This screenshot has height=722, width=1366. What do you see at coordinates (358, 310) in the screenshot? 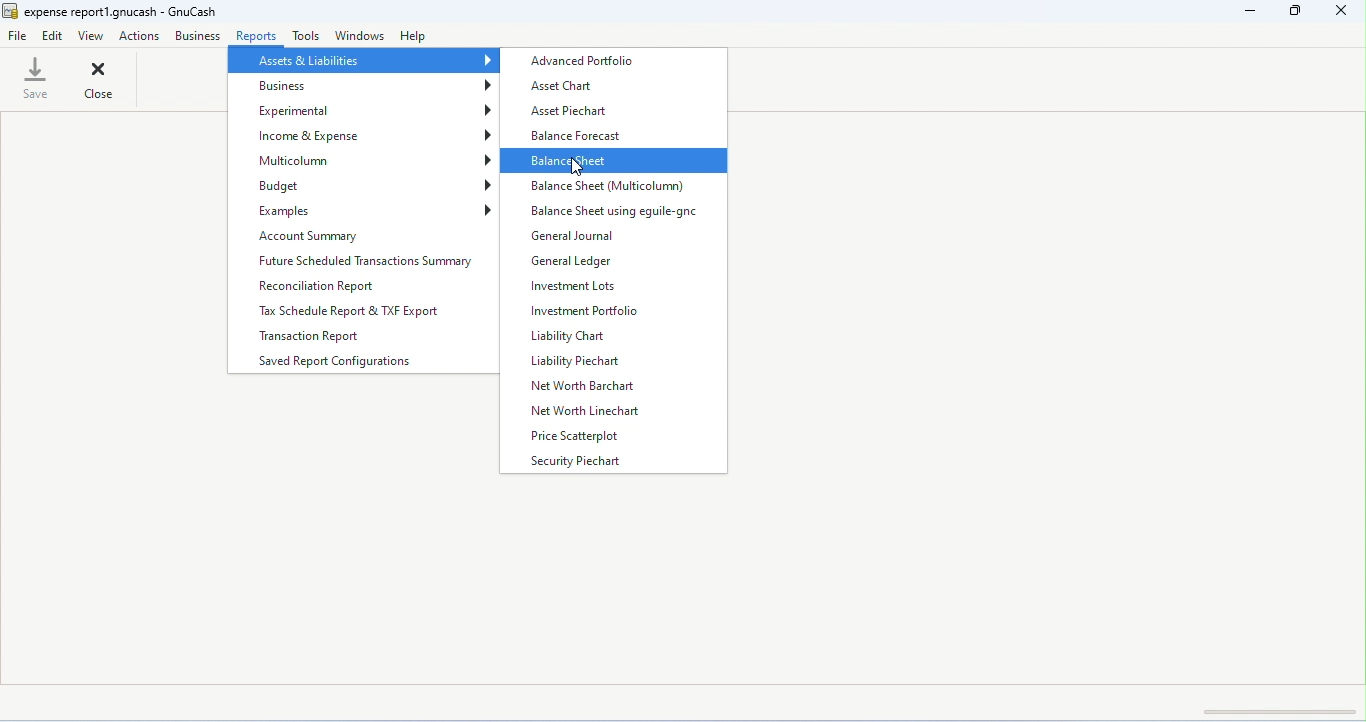
I see `tax schedule reprt and TXF export` at bounding box center [358, 310].